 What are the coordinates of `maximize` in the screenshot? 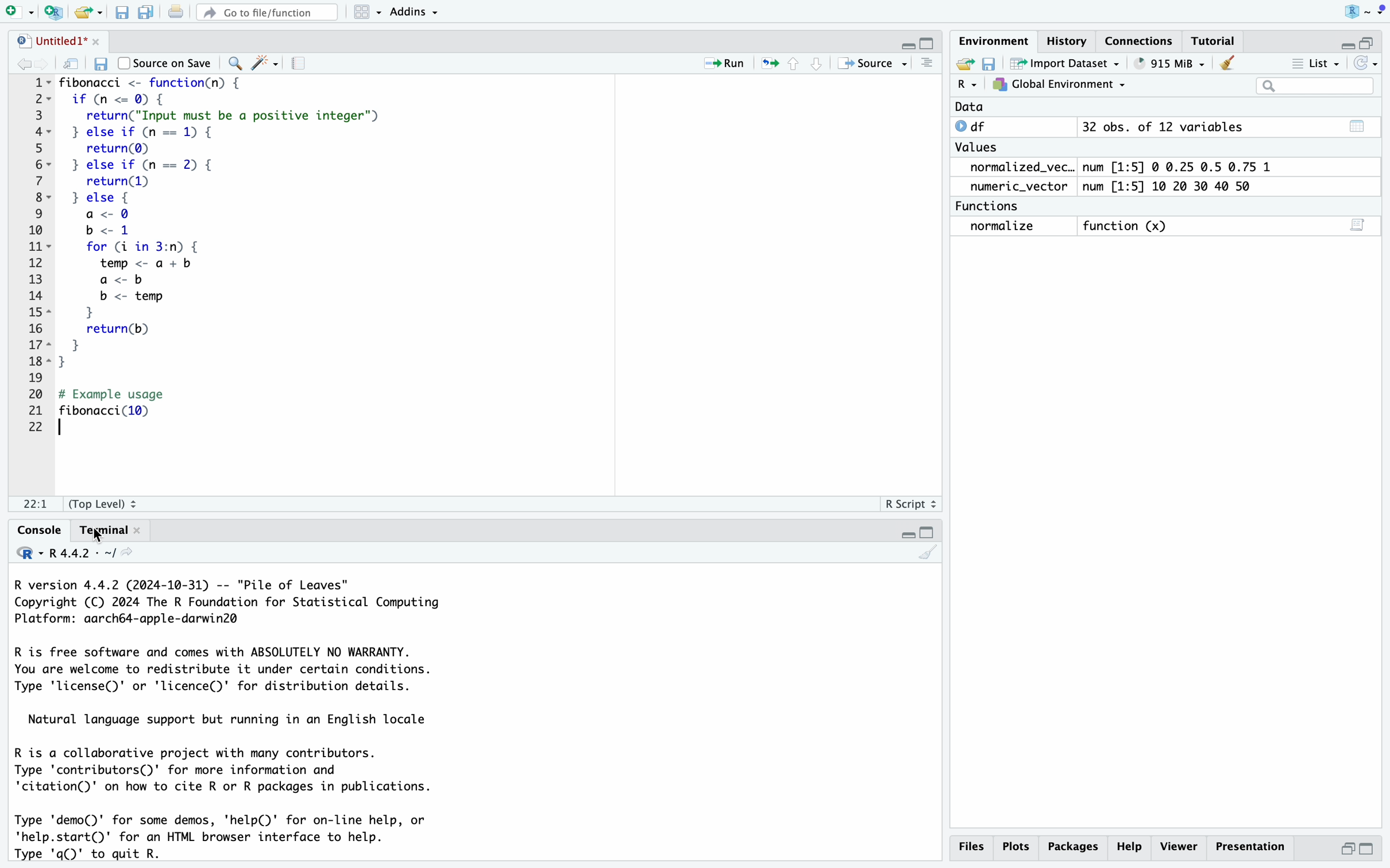 It's located at (1374, 41).